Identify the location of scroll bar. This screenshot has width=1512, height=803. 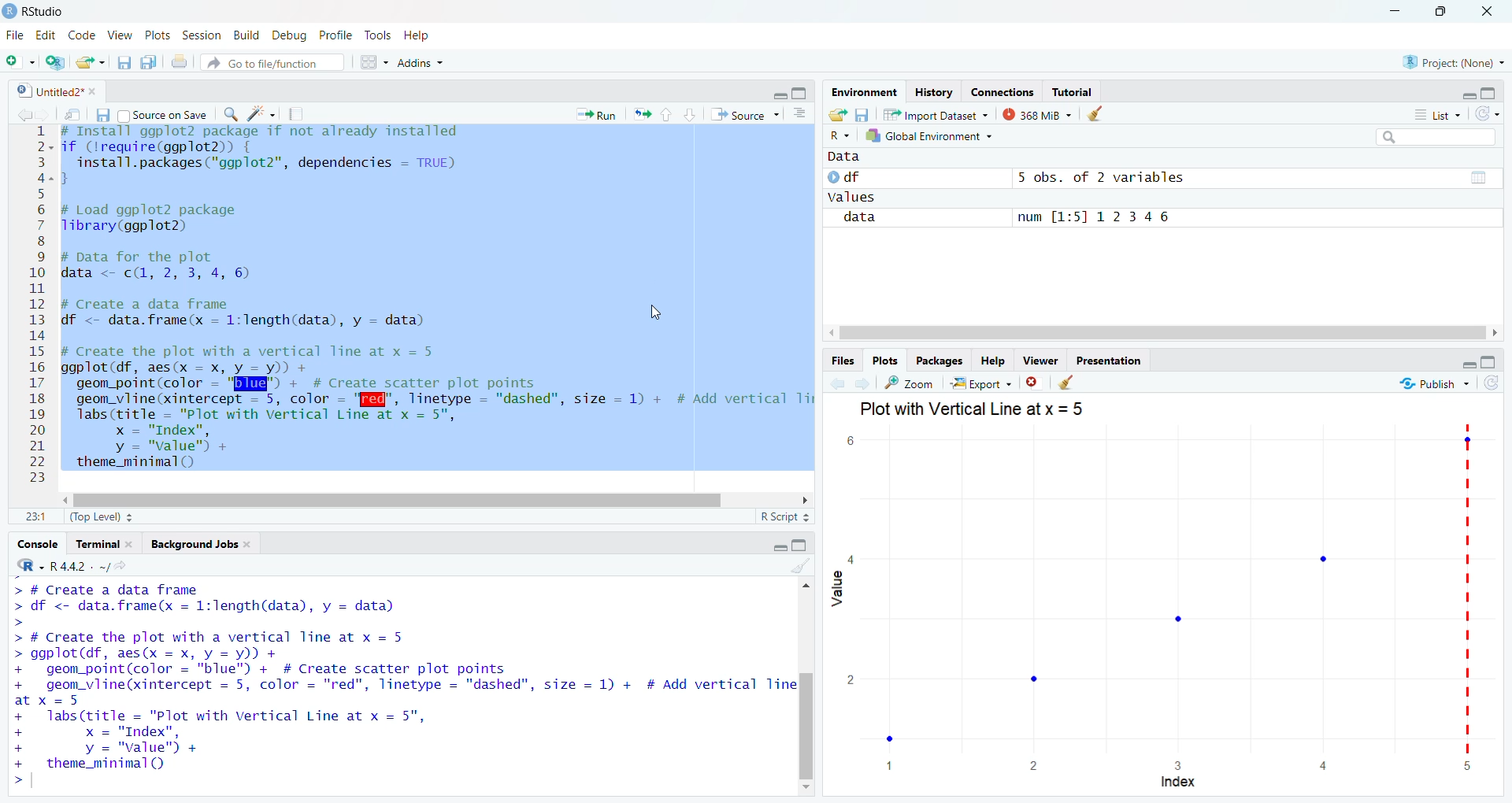
(808, 689).